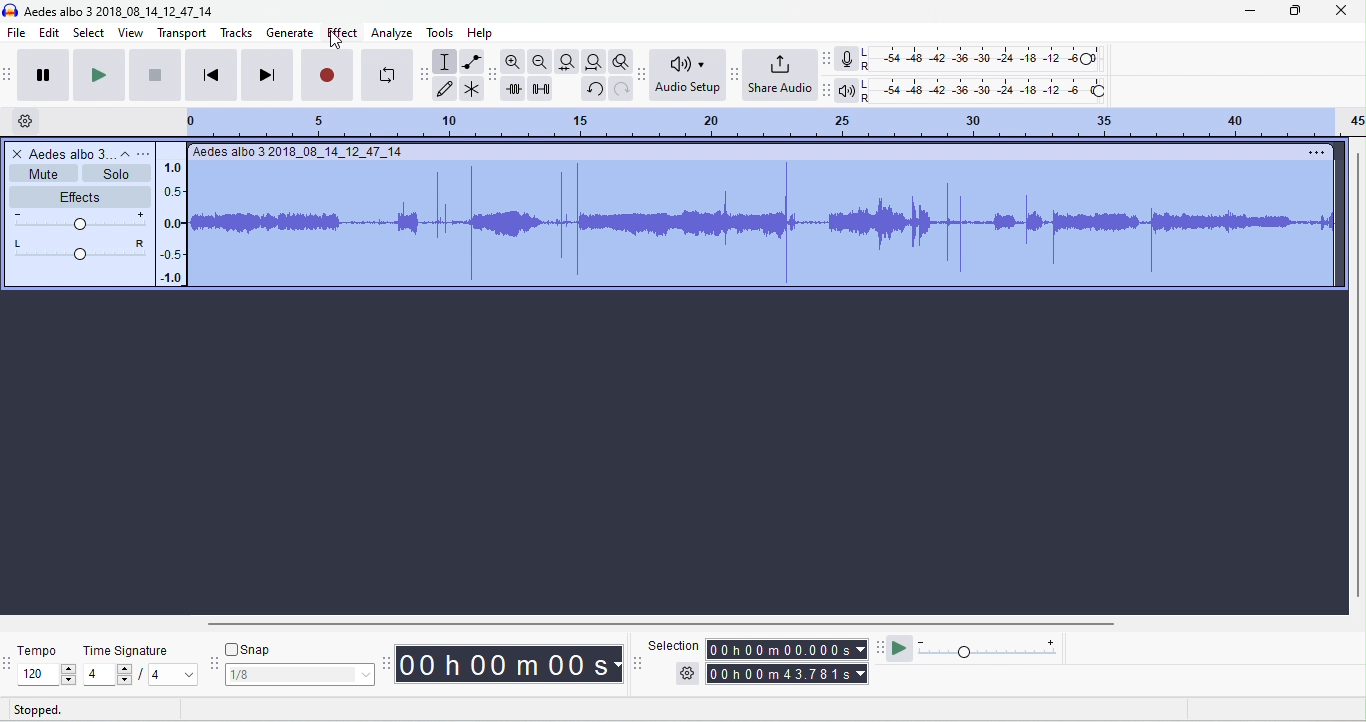  I want to click on toggle zoom, so click(621, 62).